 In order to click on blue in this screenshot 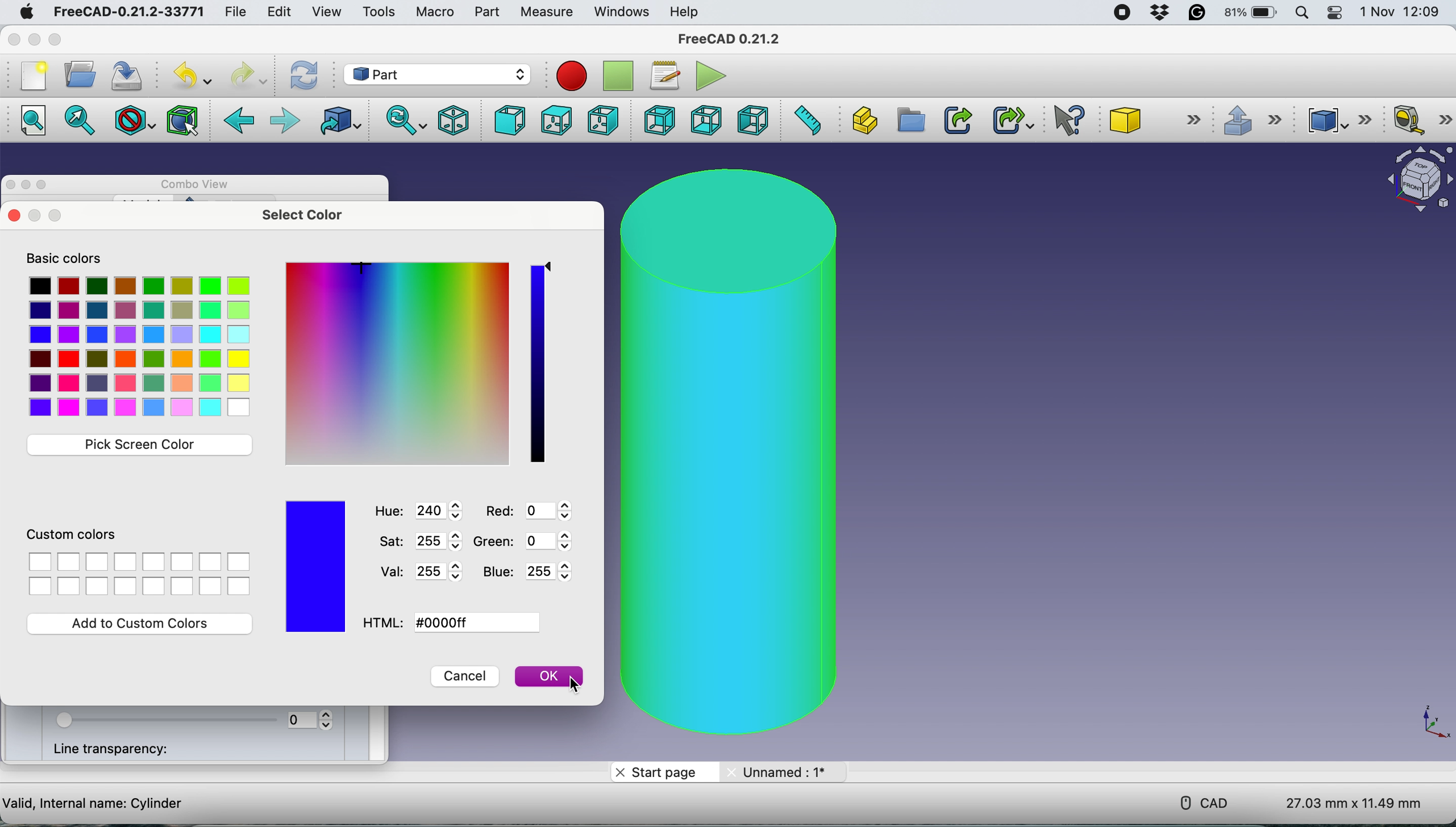, I will do `click(533, 574)`.